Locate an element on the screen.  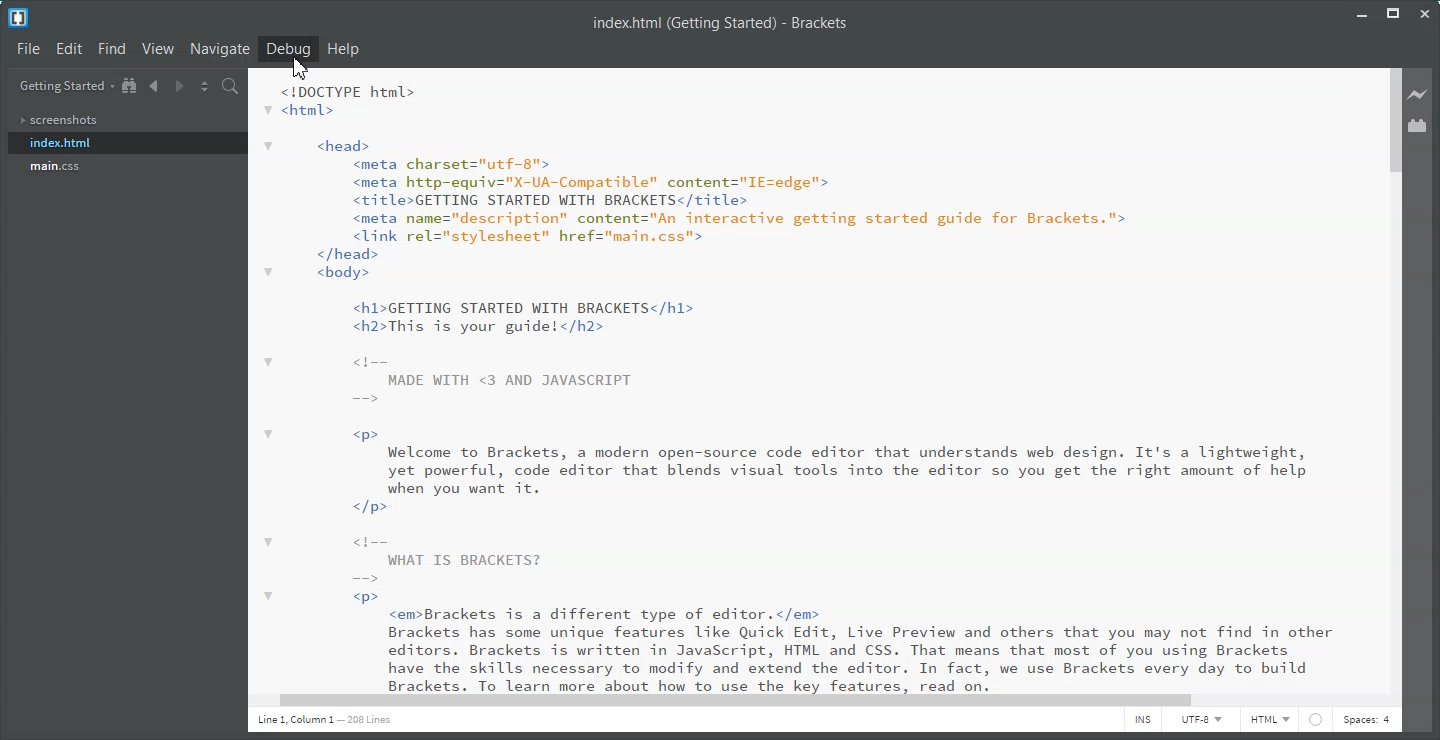
main.css is located at coordinates (123, 165).